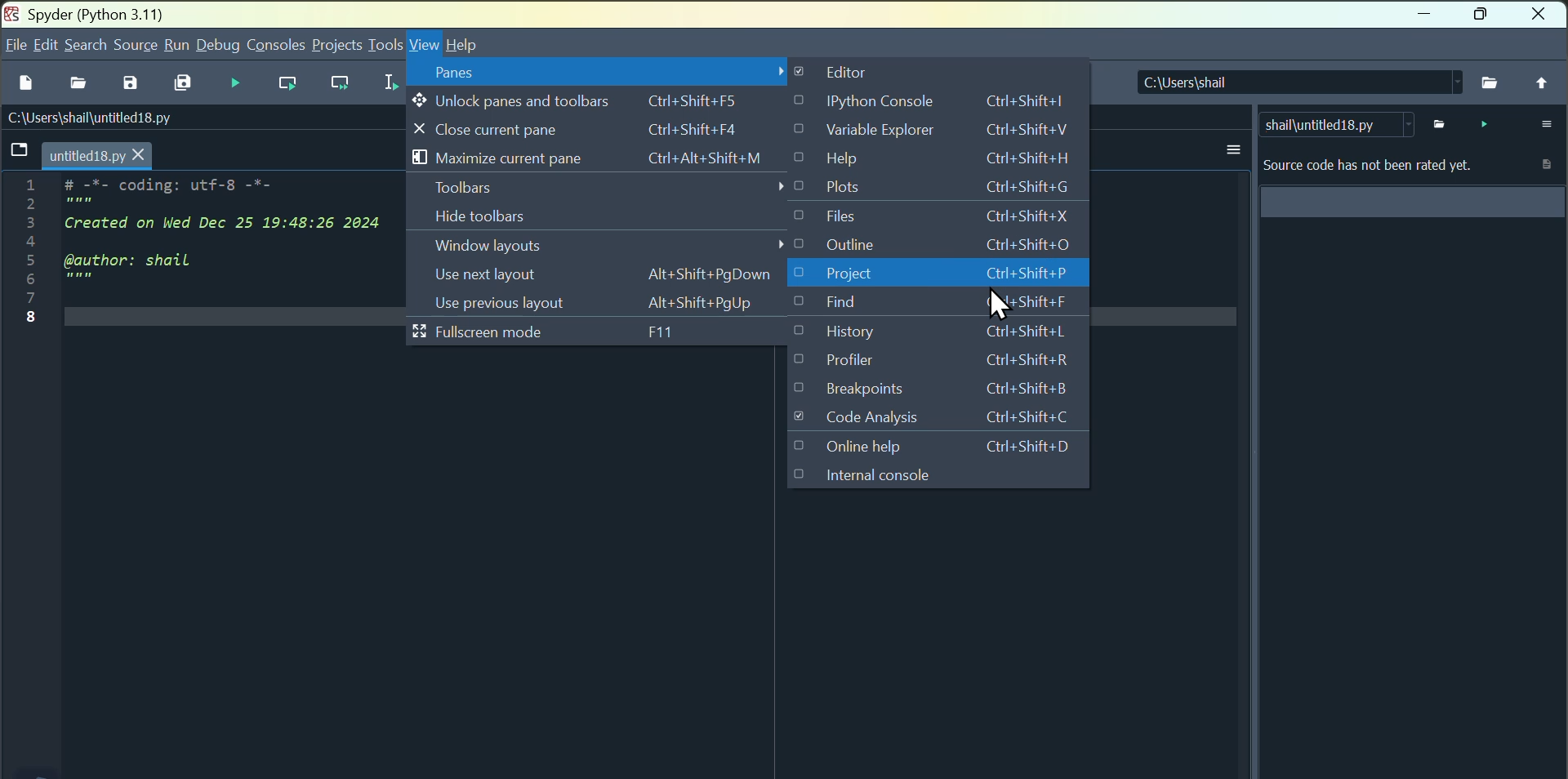 The width and height of the screenshot is (1568, 779). Describe the element at coordinates (940, 275) in the screenshot. I see `Project` at that location.